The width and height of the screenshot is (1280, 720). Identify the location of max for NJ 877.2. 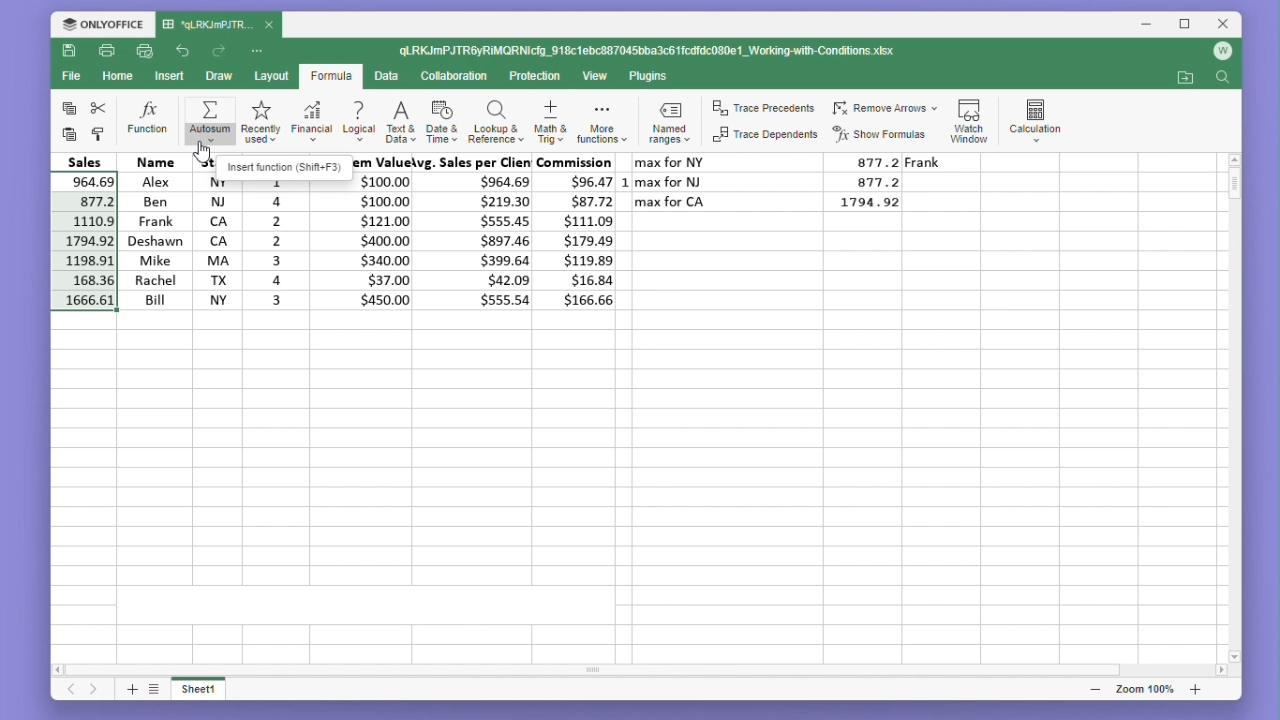
(770, 181).